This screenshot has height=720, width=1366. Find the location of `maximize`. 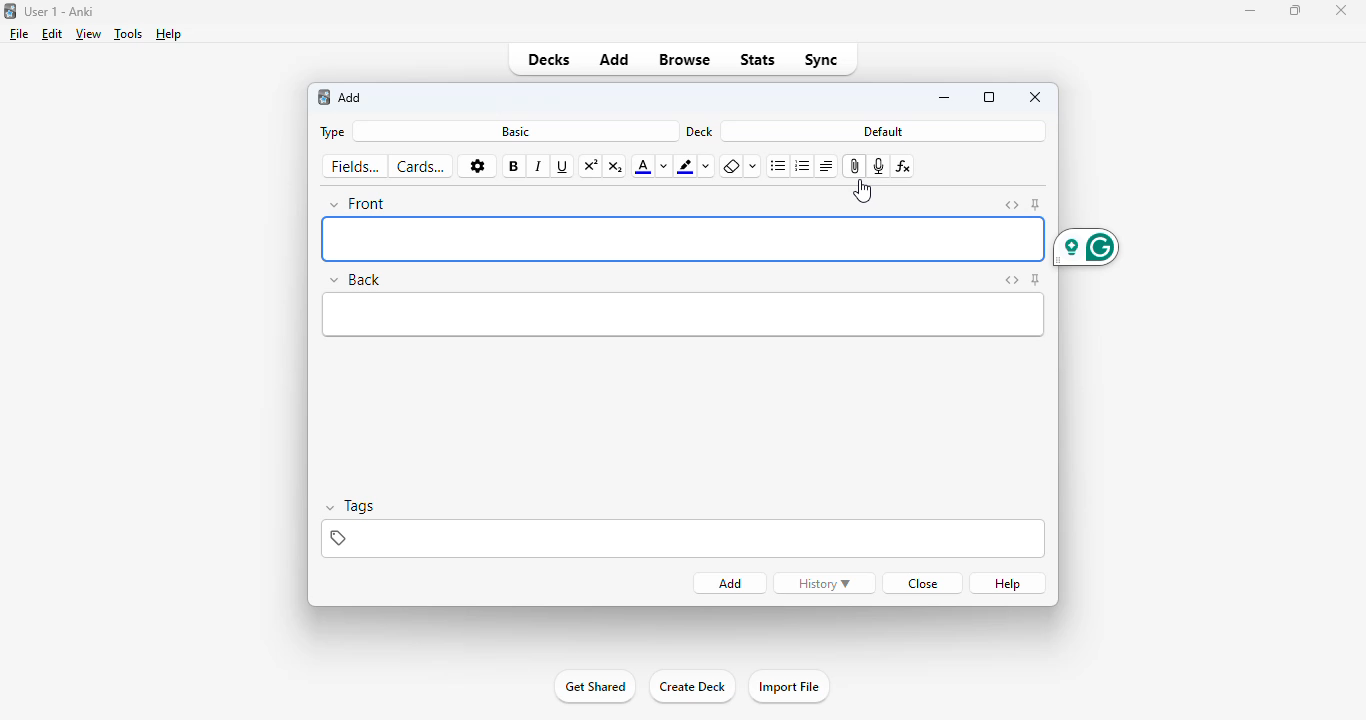

maximize is located at coordinates (989, 97).